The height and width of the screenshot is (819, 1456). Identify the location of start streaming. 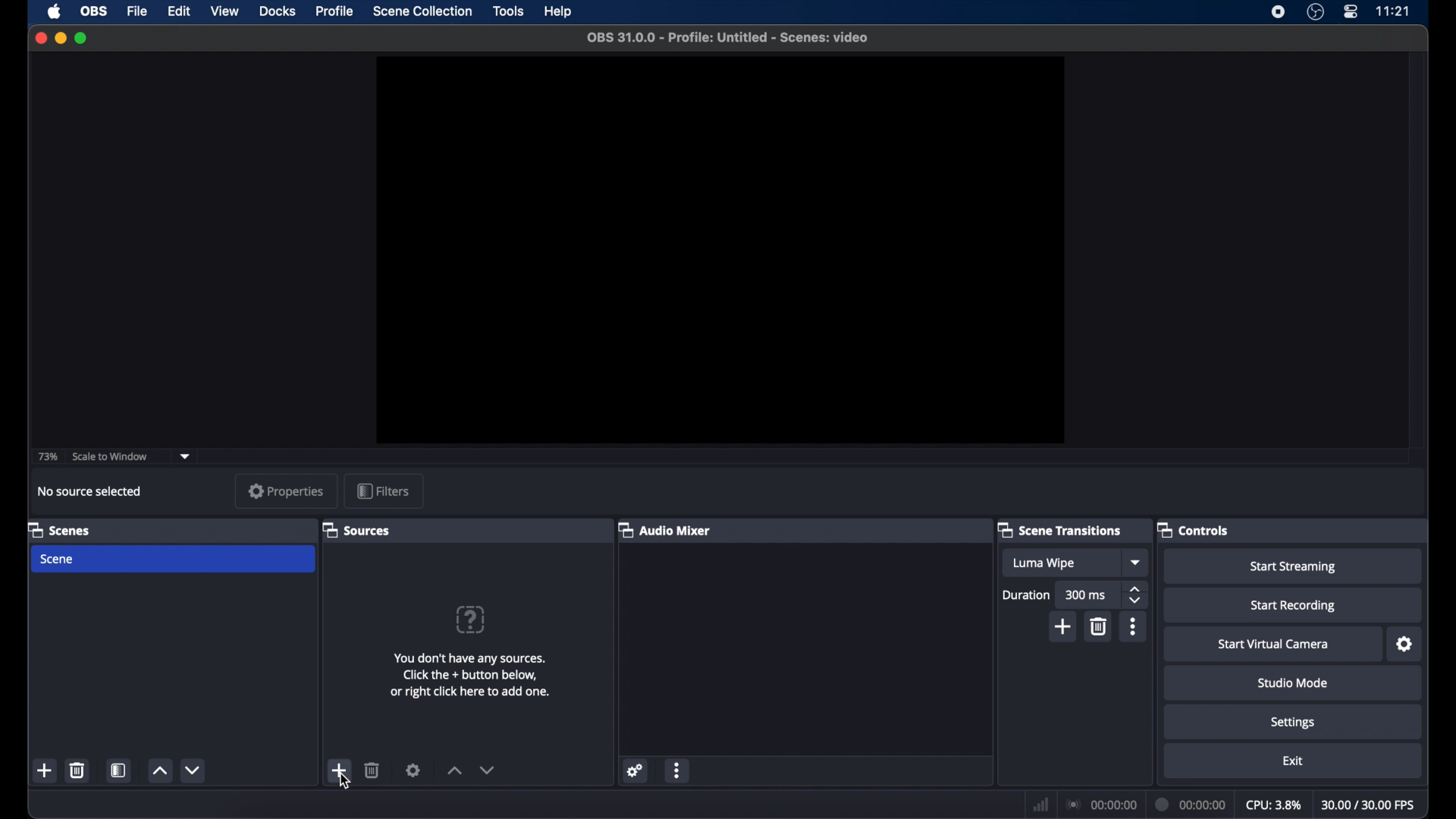
(1294, 566).